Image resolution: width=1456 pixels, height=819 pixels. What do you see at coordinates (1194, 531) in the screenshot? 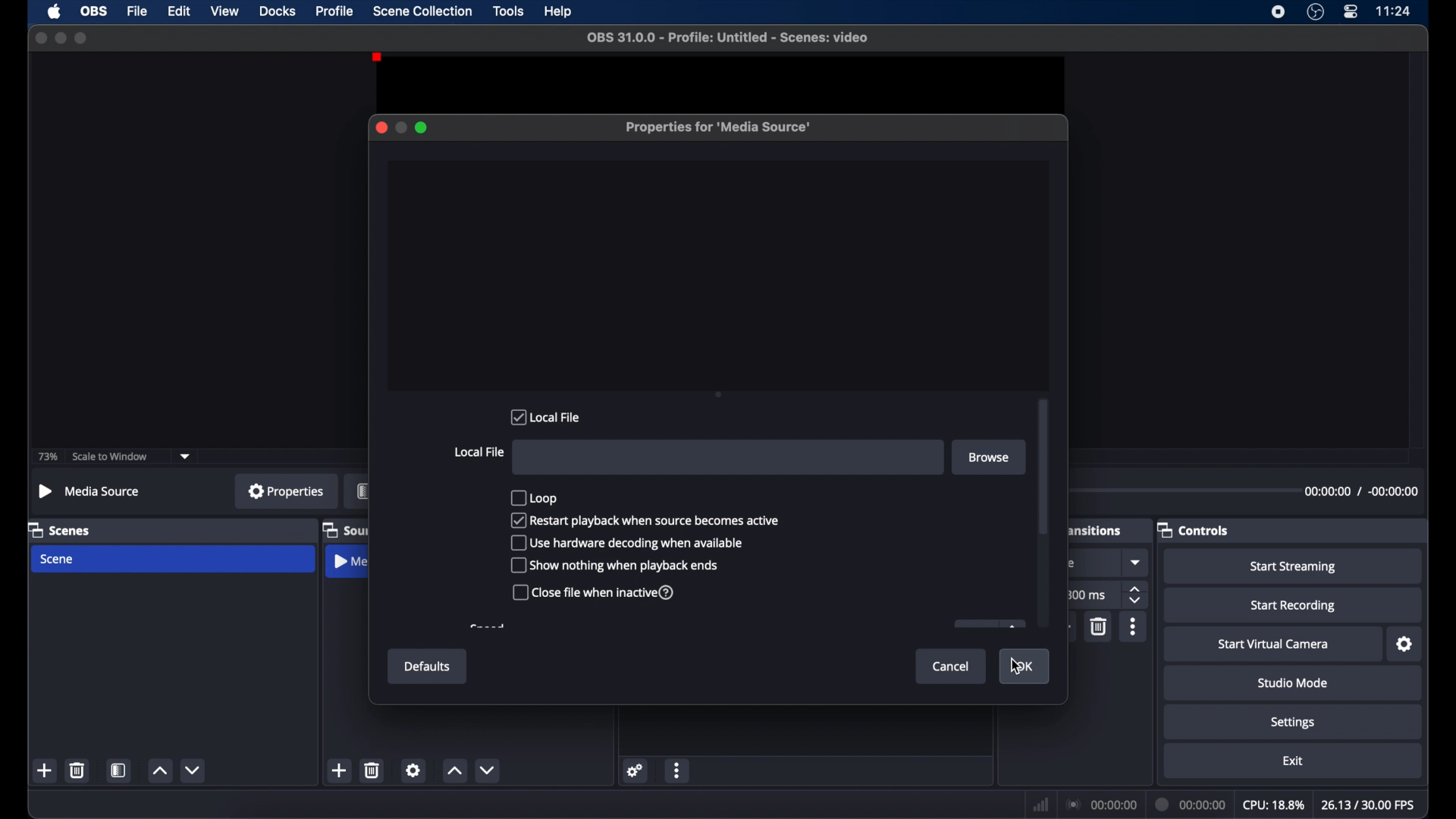
I see `controls` at bounding box center [1194, 531].